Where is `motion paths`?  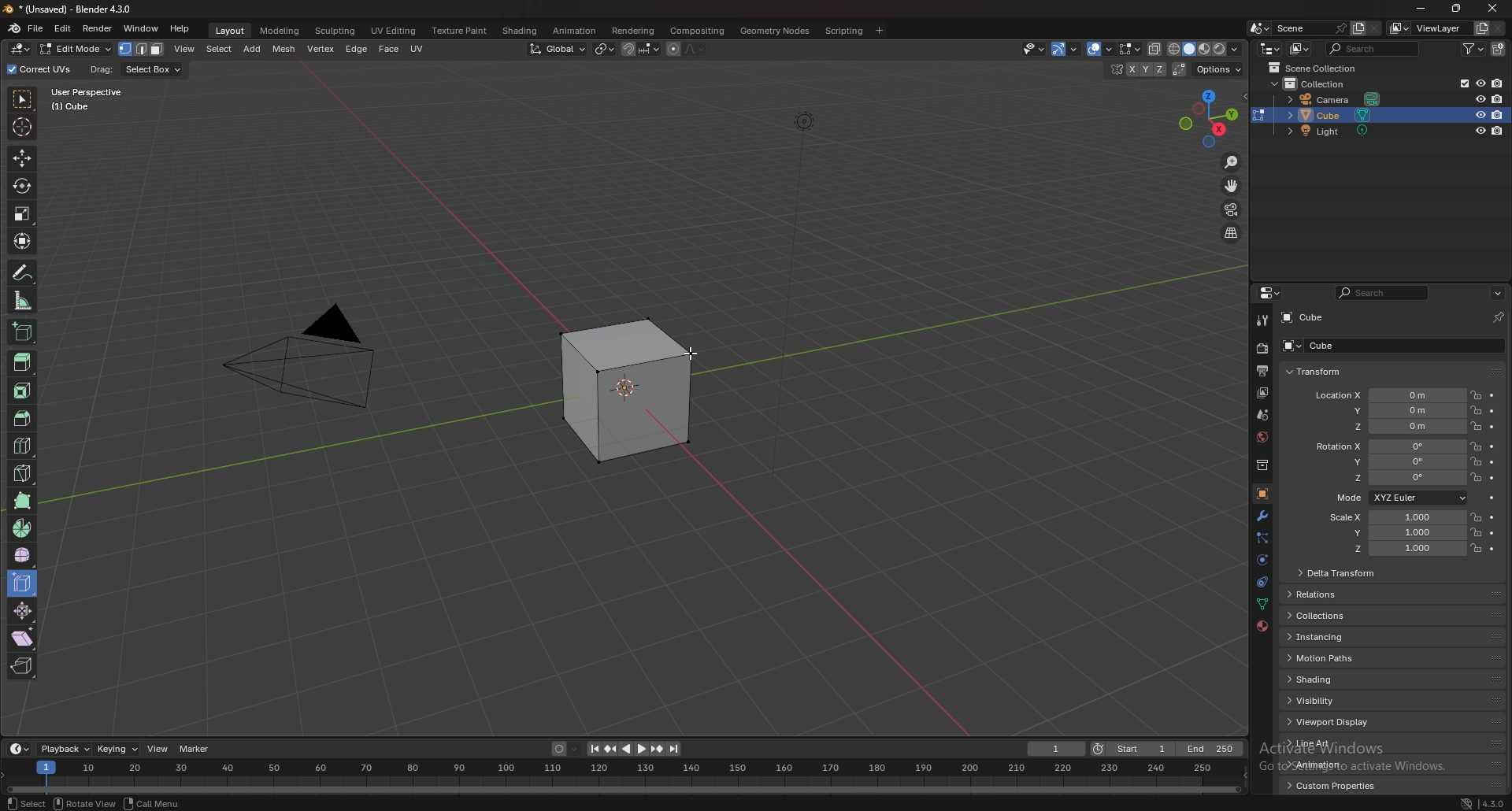 motion paths is located at coordinates (1324, 658).